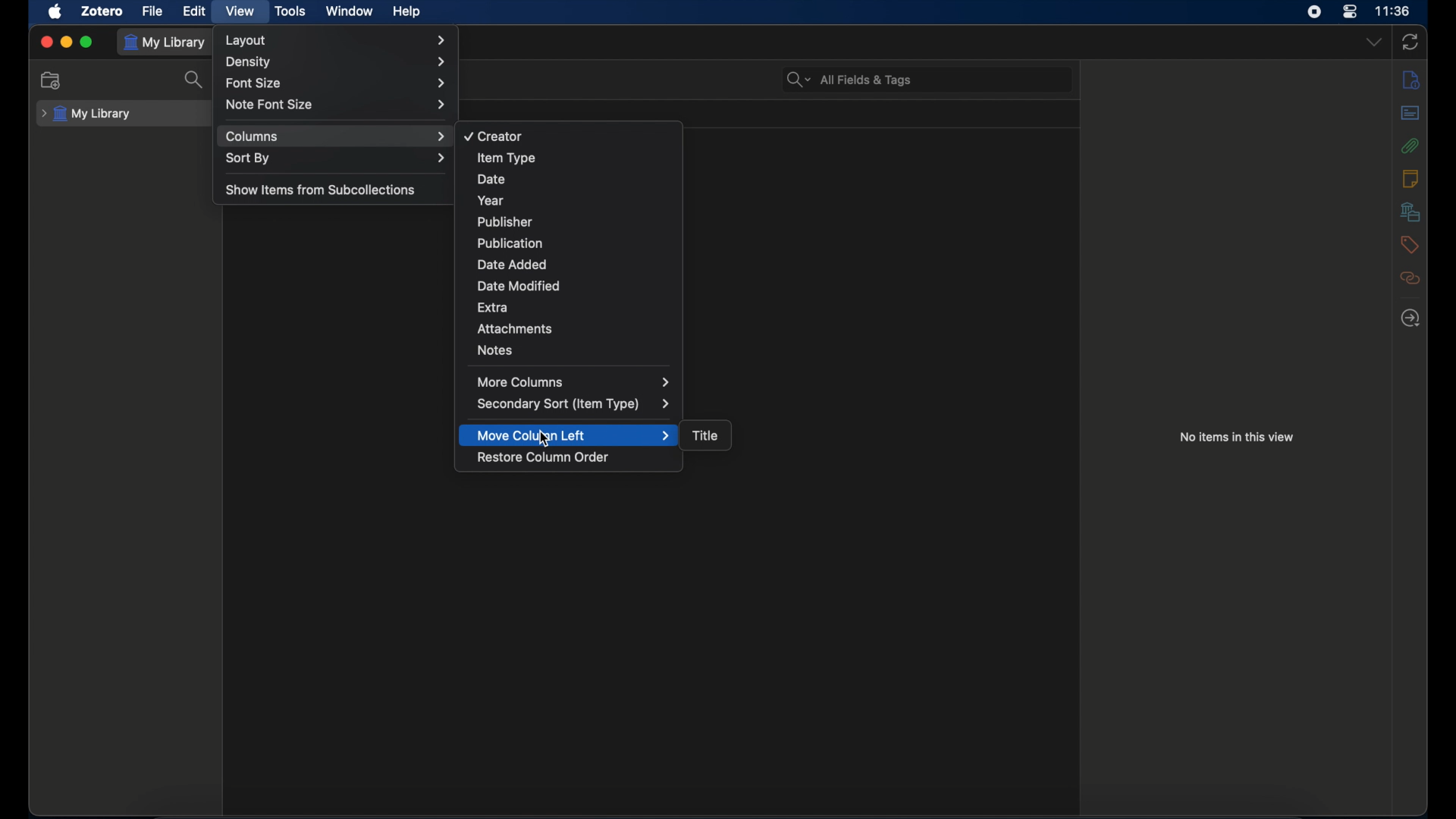  Describe the element at coordinates (1238, 437) in the screenshot. I see `no items in this view` at that location.